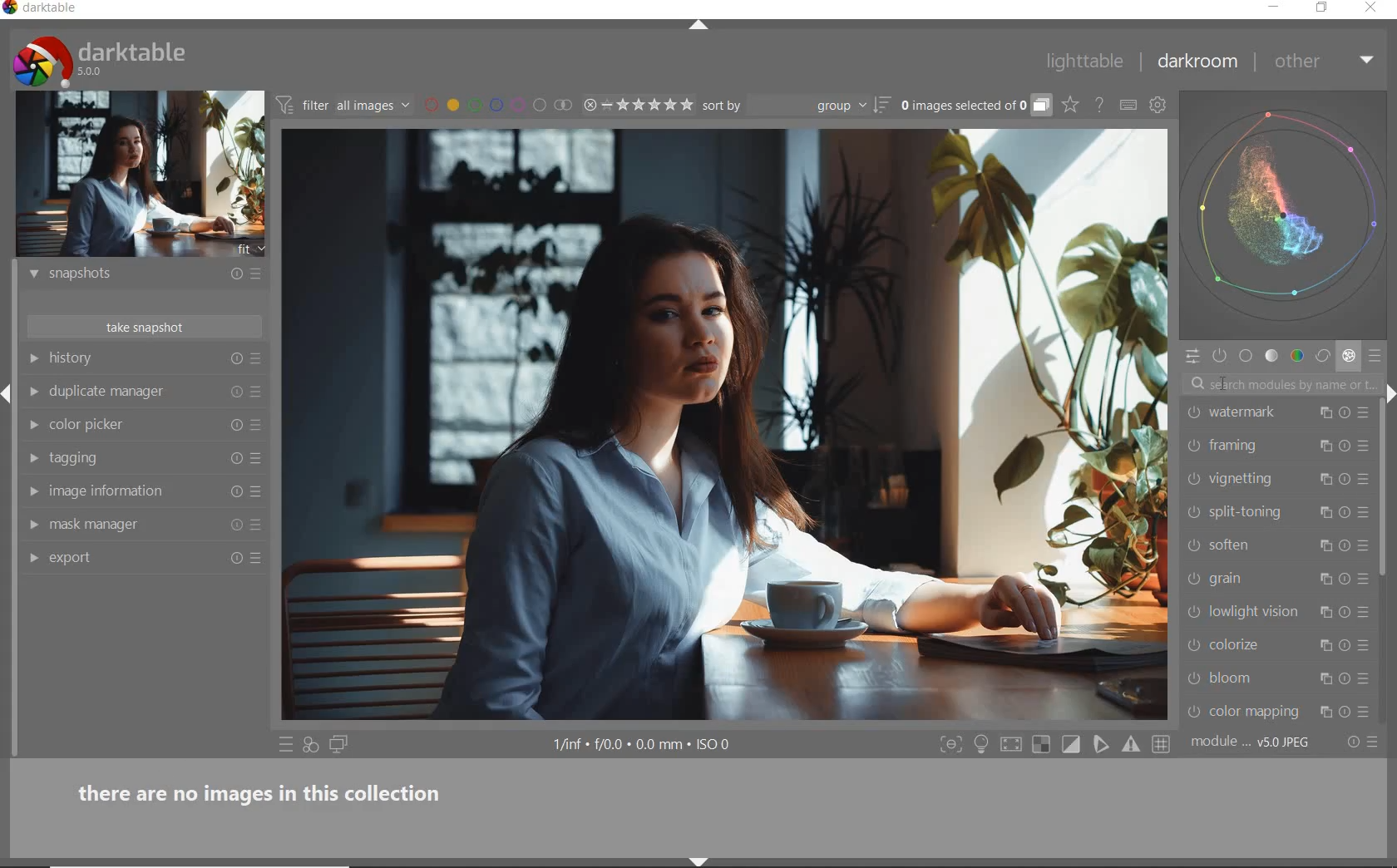  I want to click on reset, so click(236, 360).